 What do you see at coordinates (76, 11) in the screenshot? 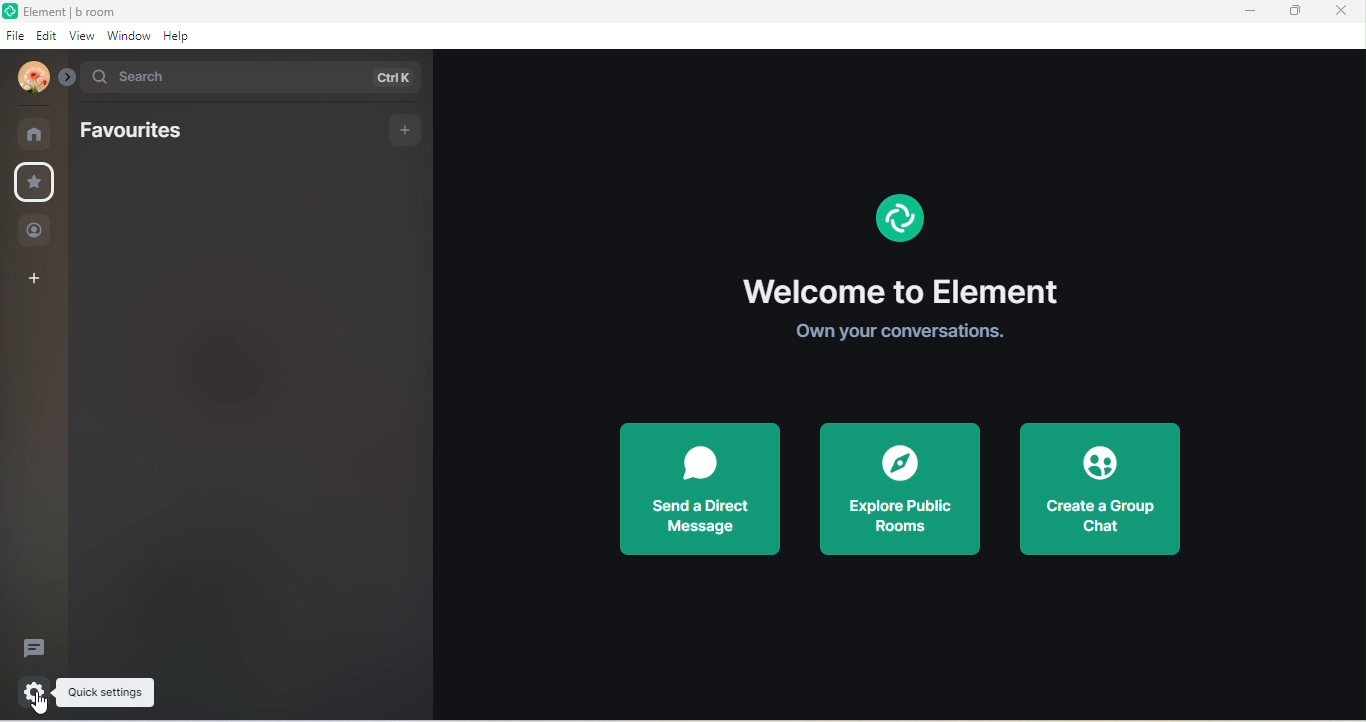
I see `element b room` at bounding box center [76, 11].